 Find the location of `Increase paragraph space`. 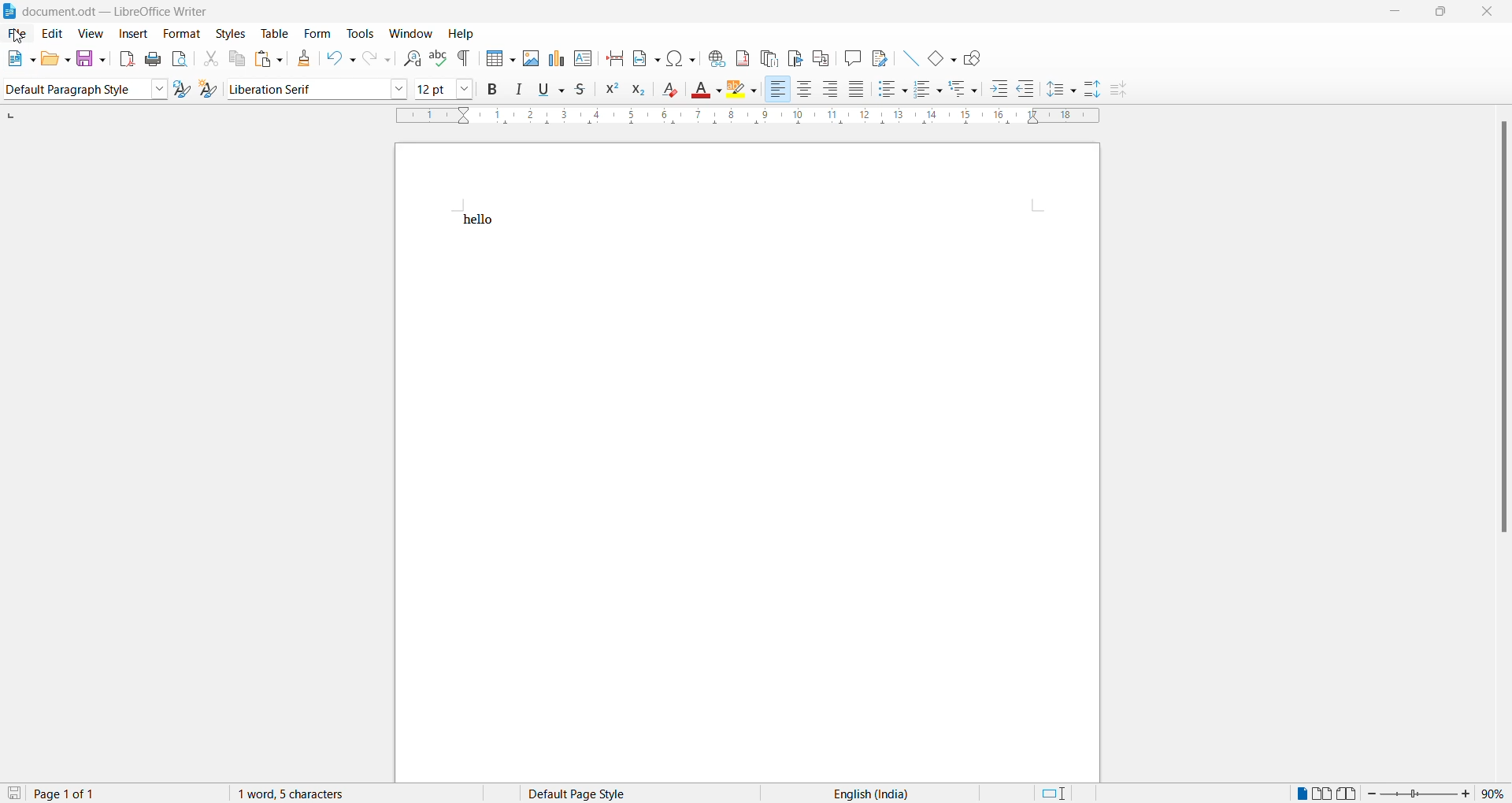

Increase paragraph space is located at coordinates (1093, 88).